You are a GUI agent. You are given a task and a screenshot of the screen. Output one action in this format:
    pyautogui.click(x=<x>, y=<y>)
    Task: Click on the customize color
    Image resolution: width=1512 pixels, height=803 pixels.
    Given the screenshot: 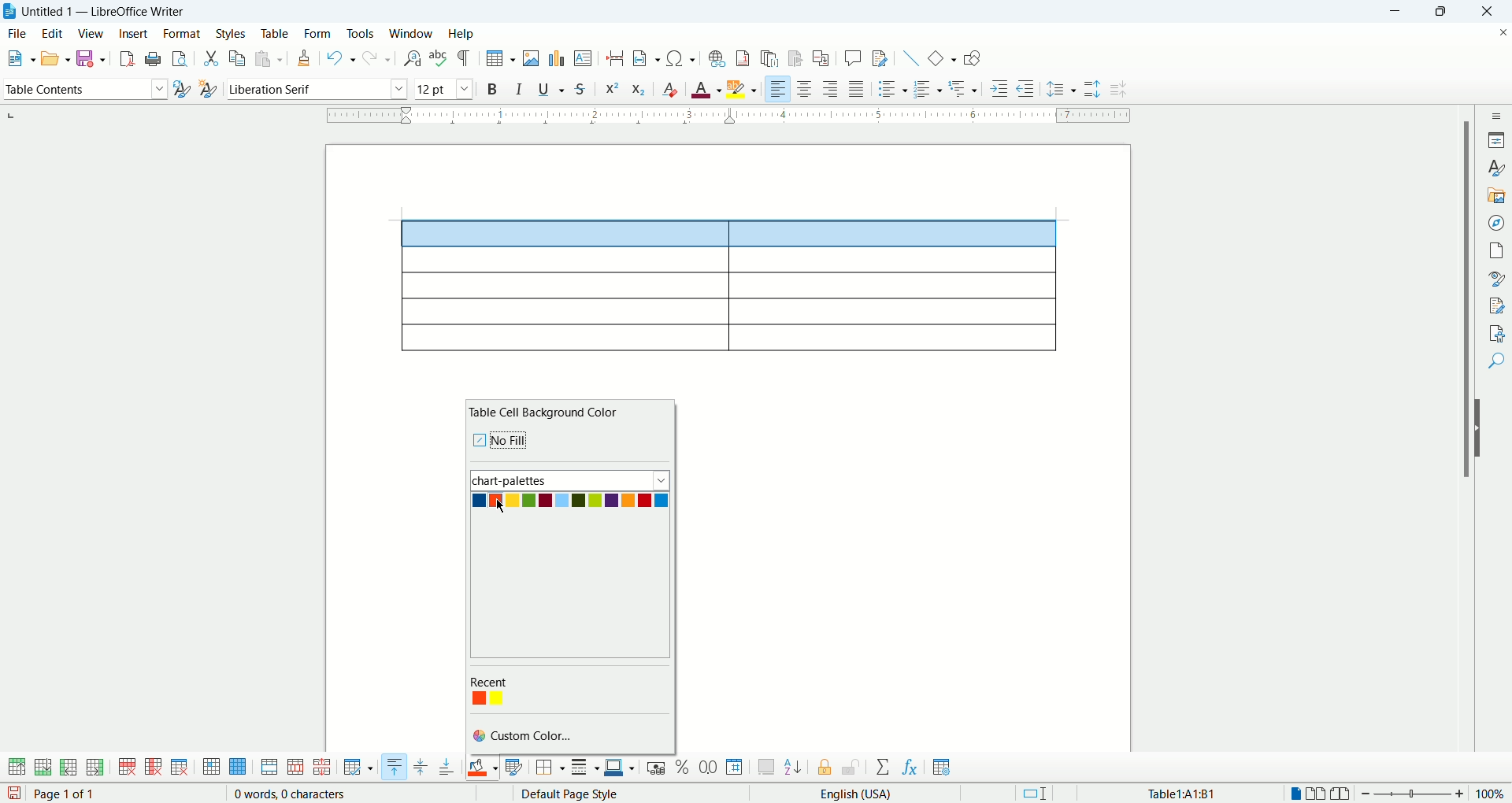 What is the action you would take?
    pyautogui.click(x=531, y=735)
    